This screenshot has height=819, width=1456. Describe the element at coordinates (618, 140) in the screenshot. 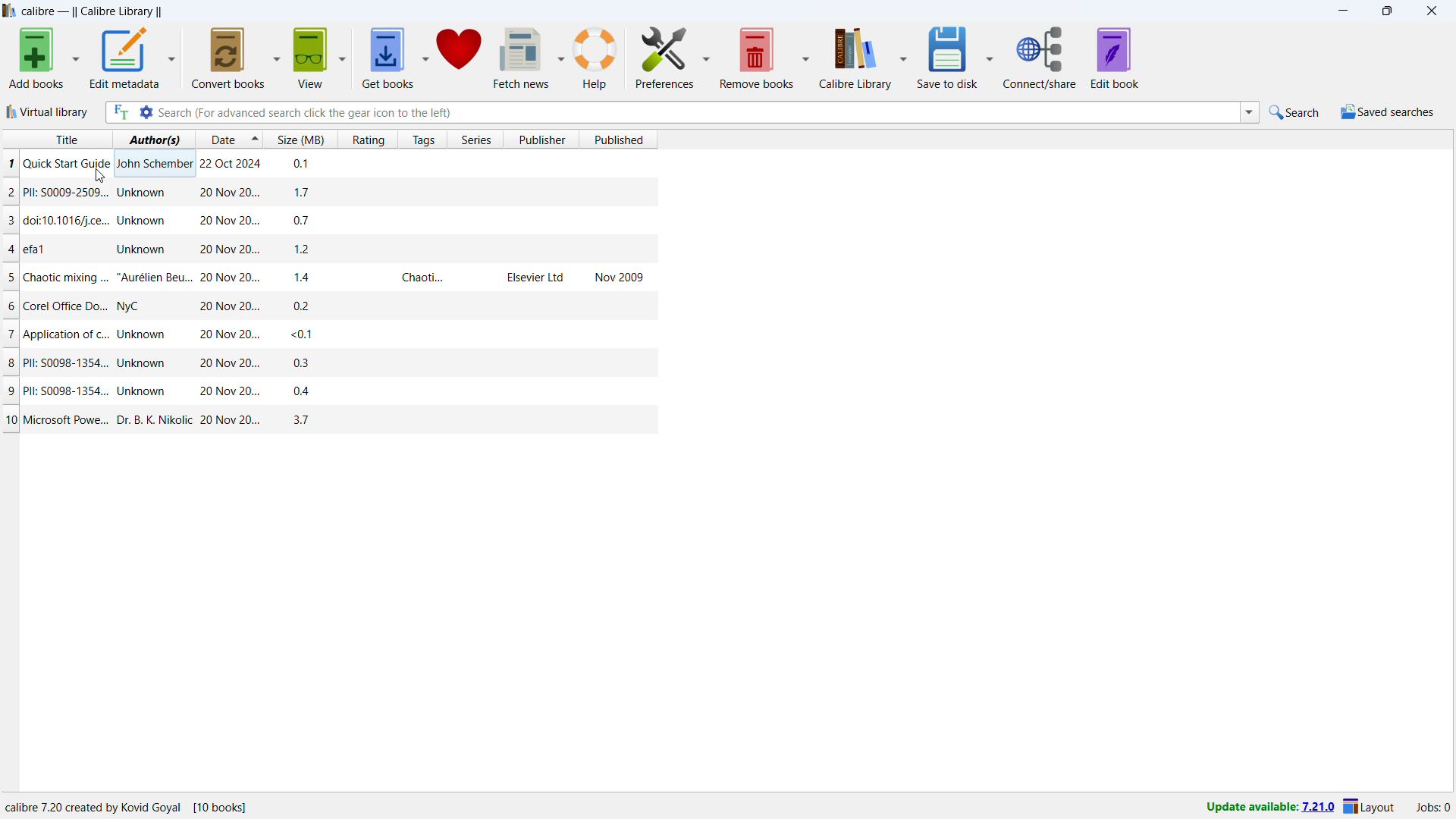

I see `sort by published` at that location.